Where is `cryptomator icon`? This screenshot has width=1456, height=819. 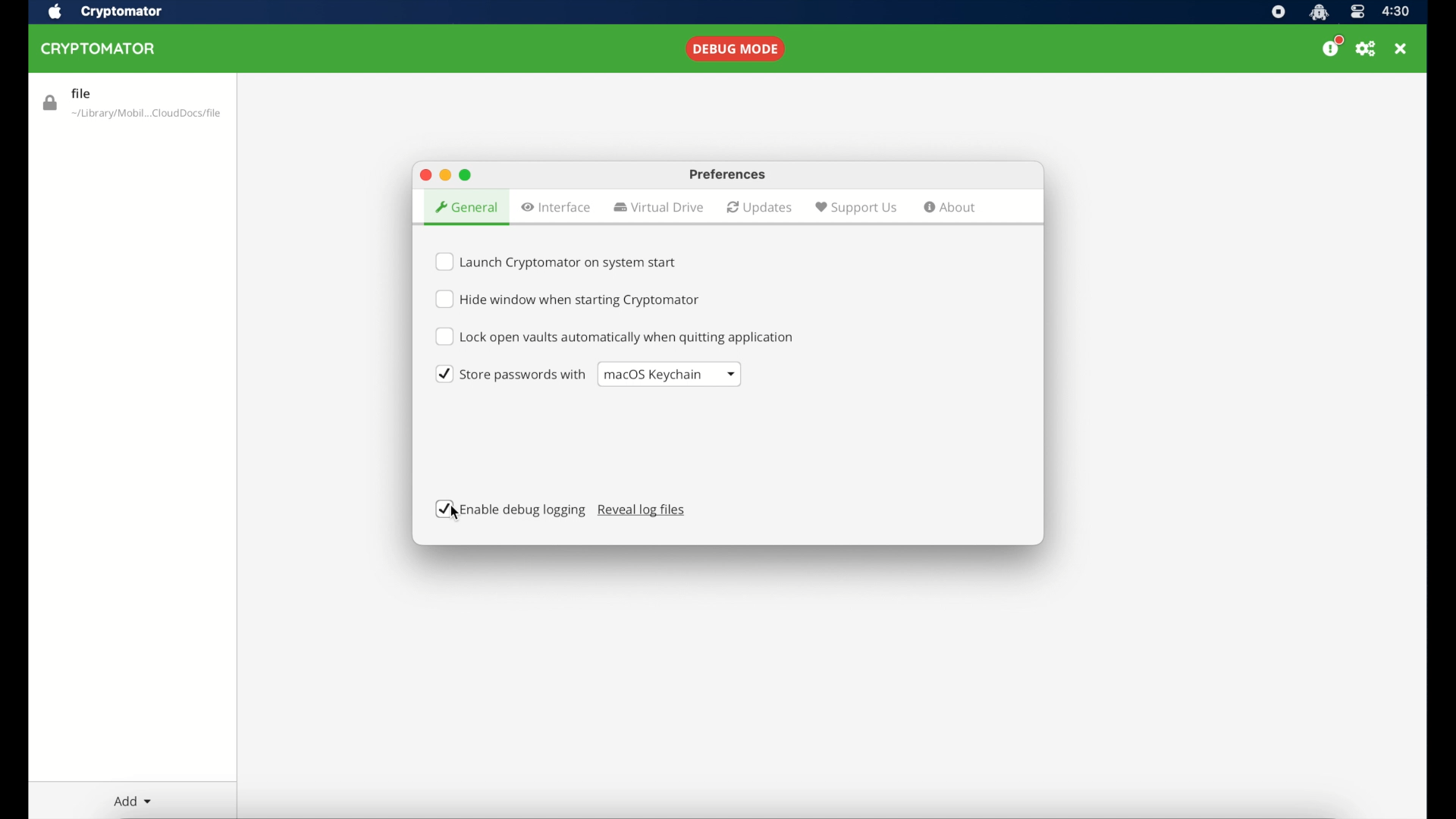 cryptomator icon is located at coordinates (1319, 12).